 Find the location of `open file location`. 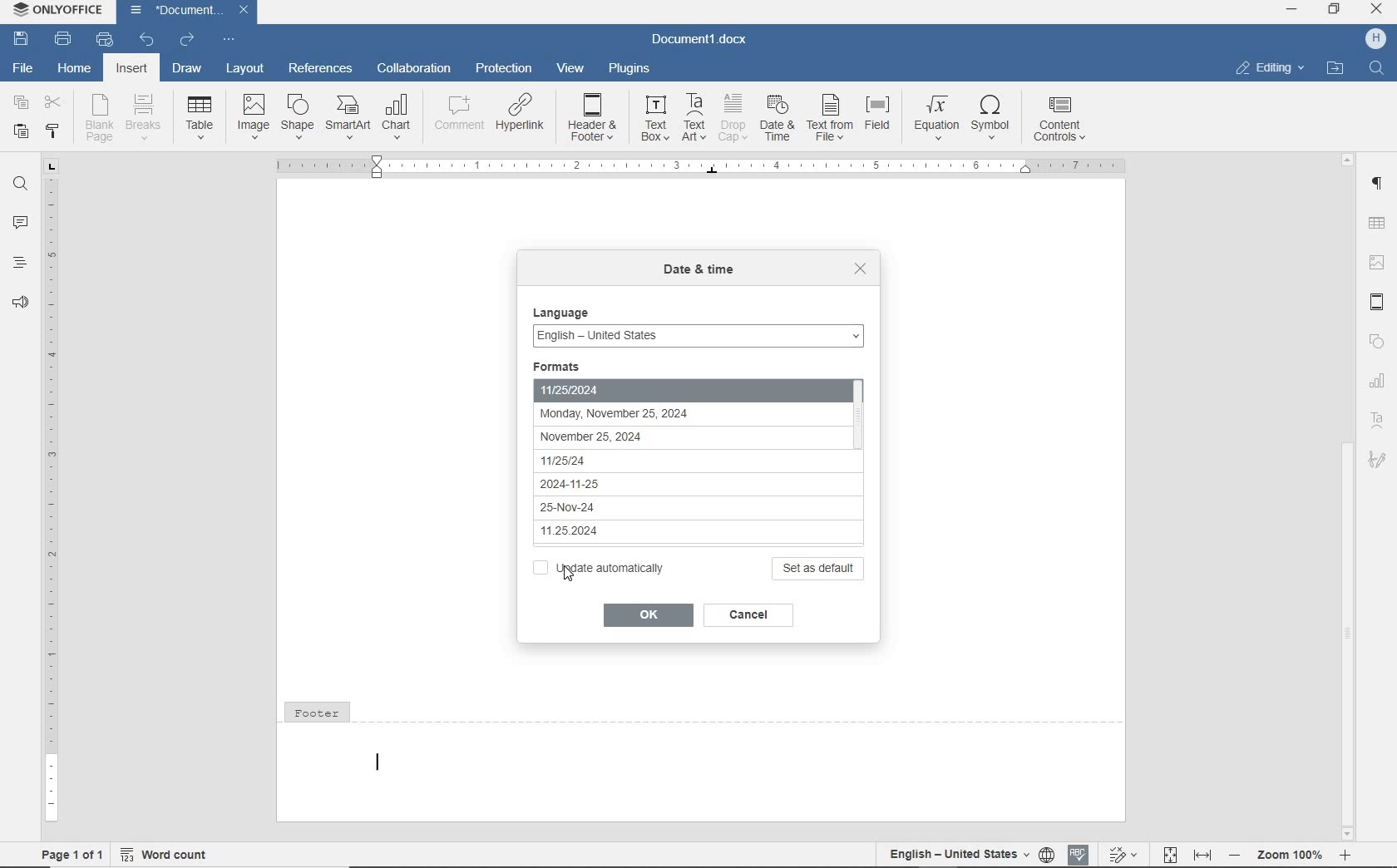

open file location is located at coordinates (1337, 68).